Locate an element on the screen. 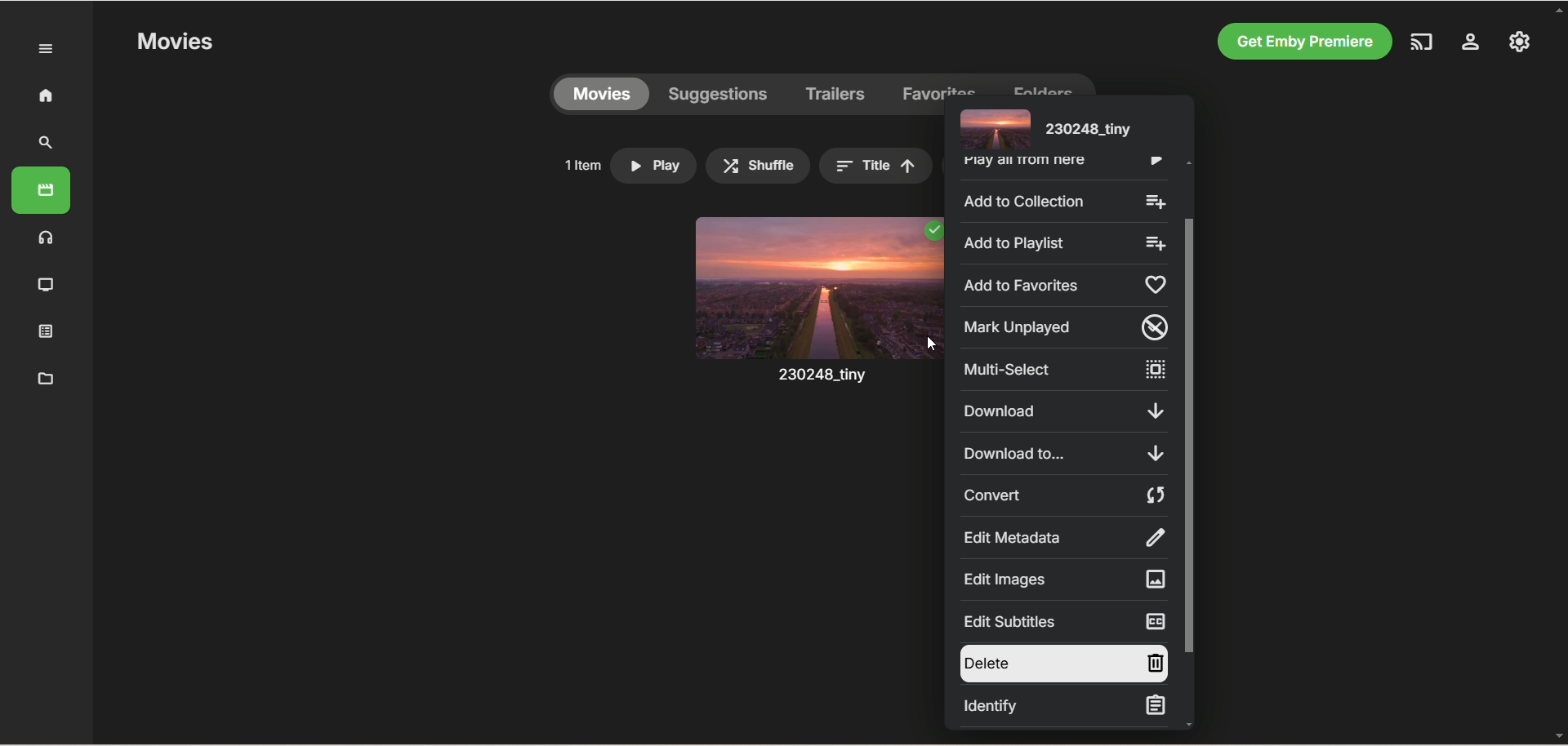 Image resolution: width=1568 pixels, height=746 pixels. download to is located at coordinates (1065, 453).